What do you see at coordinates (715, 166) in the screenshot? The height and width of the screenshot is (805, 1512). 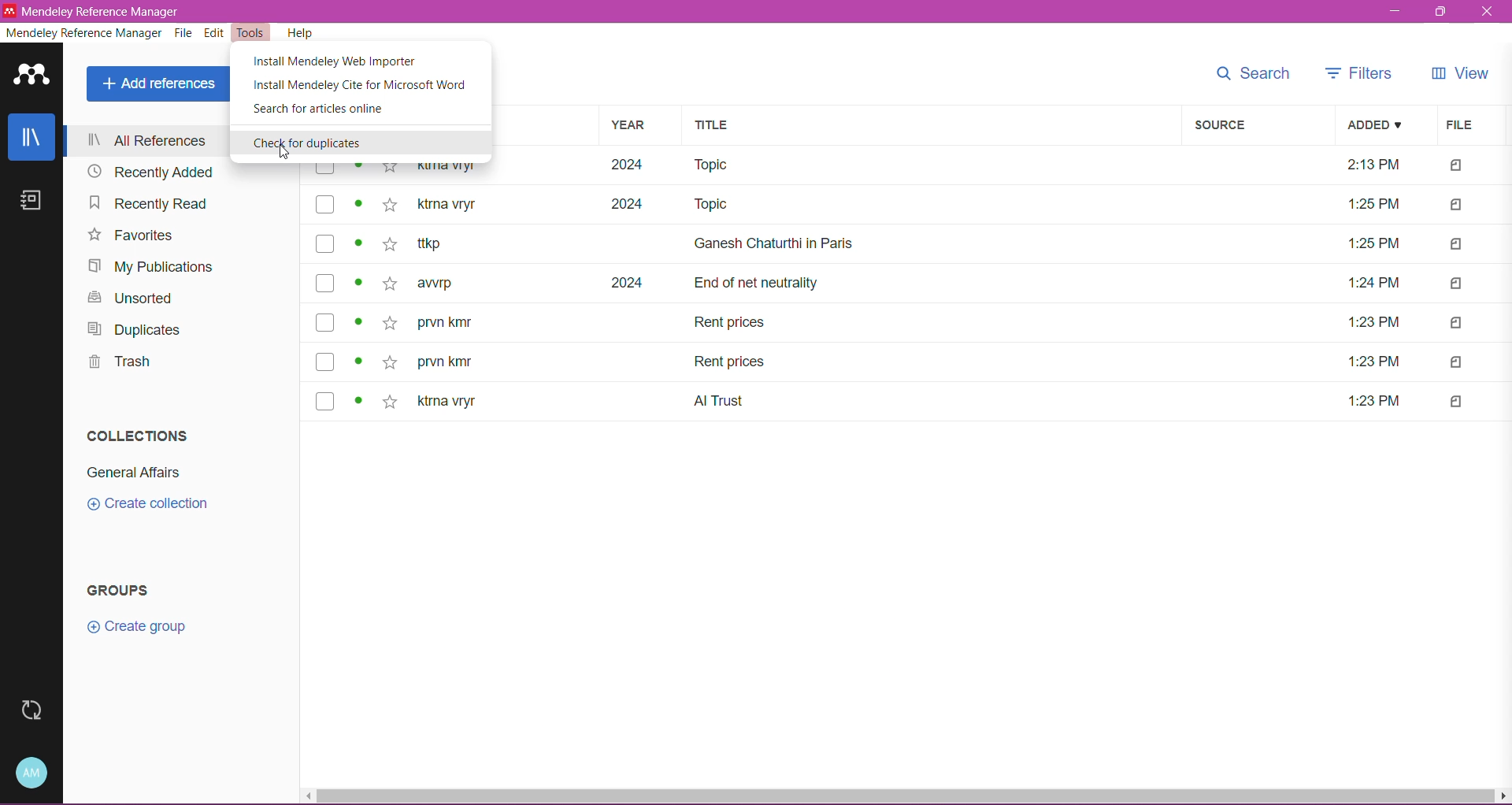 I see `Title` at bounding box center [715, 166].